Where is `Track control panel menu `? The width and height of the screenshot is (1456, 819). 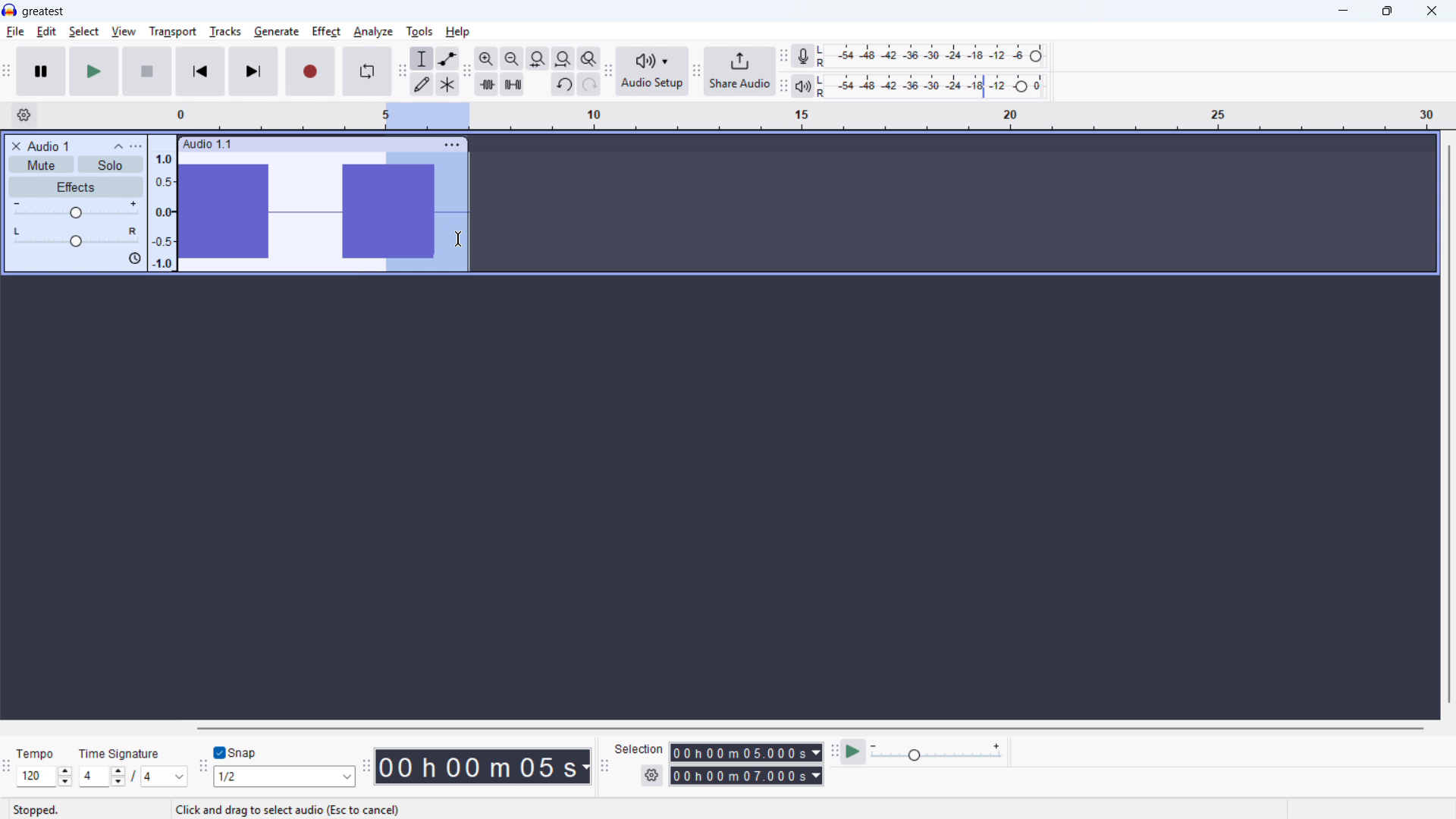 Track control panel menu  is located at coordinates (136, 146).